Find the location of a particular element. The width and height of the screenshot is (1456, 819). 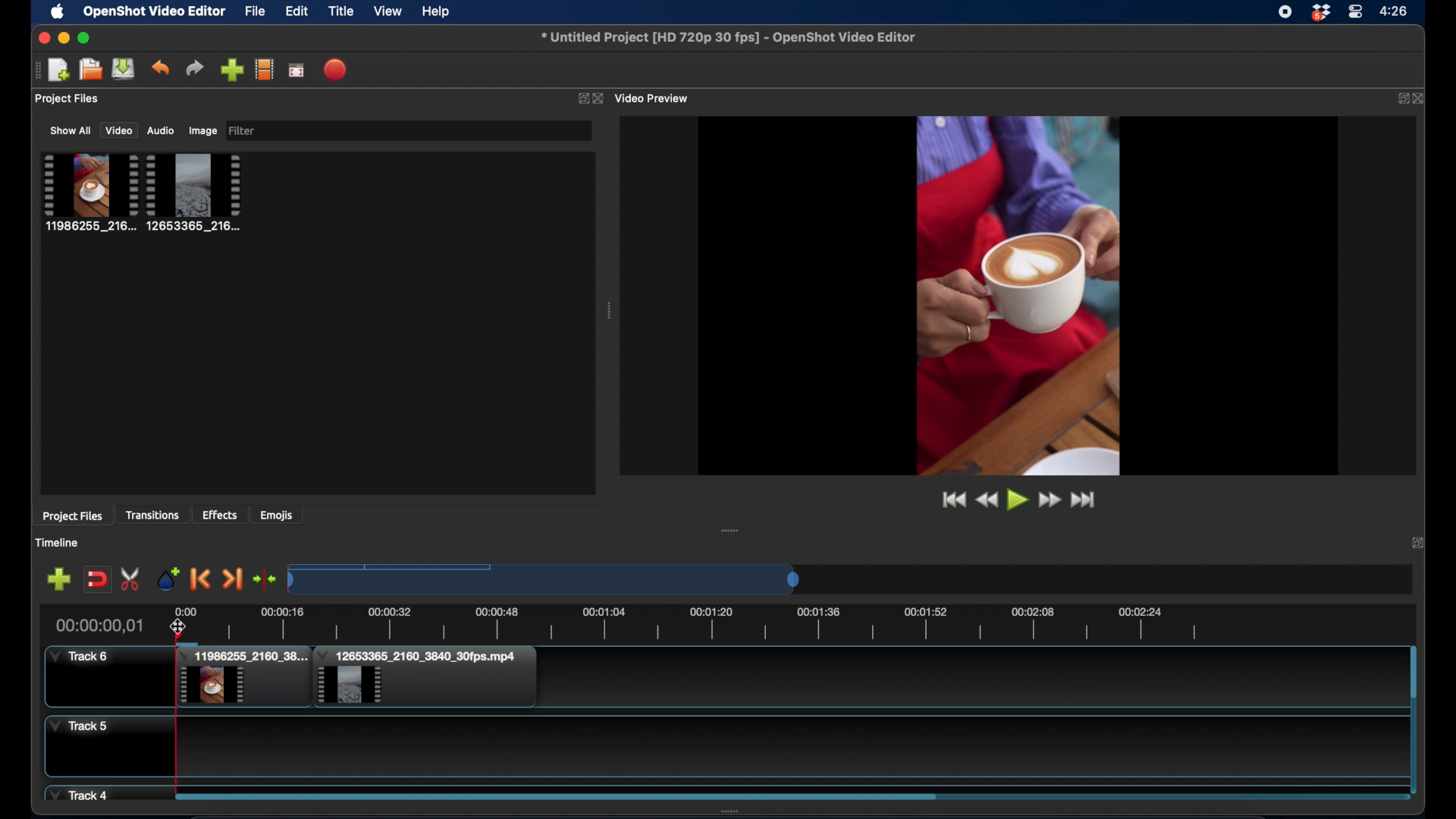

project files is located at coordinates (67, 99).